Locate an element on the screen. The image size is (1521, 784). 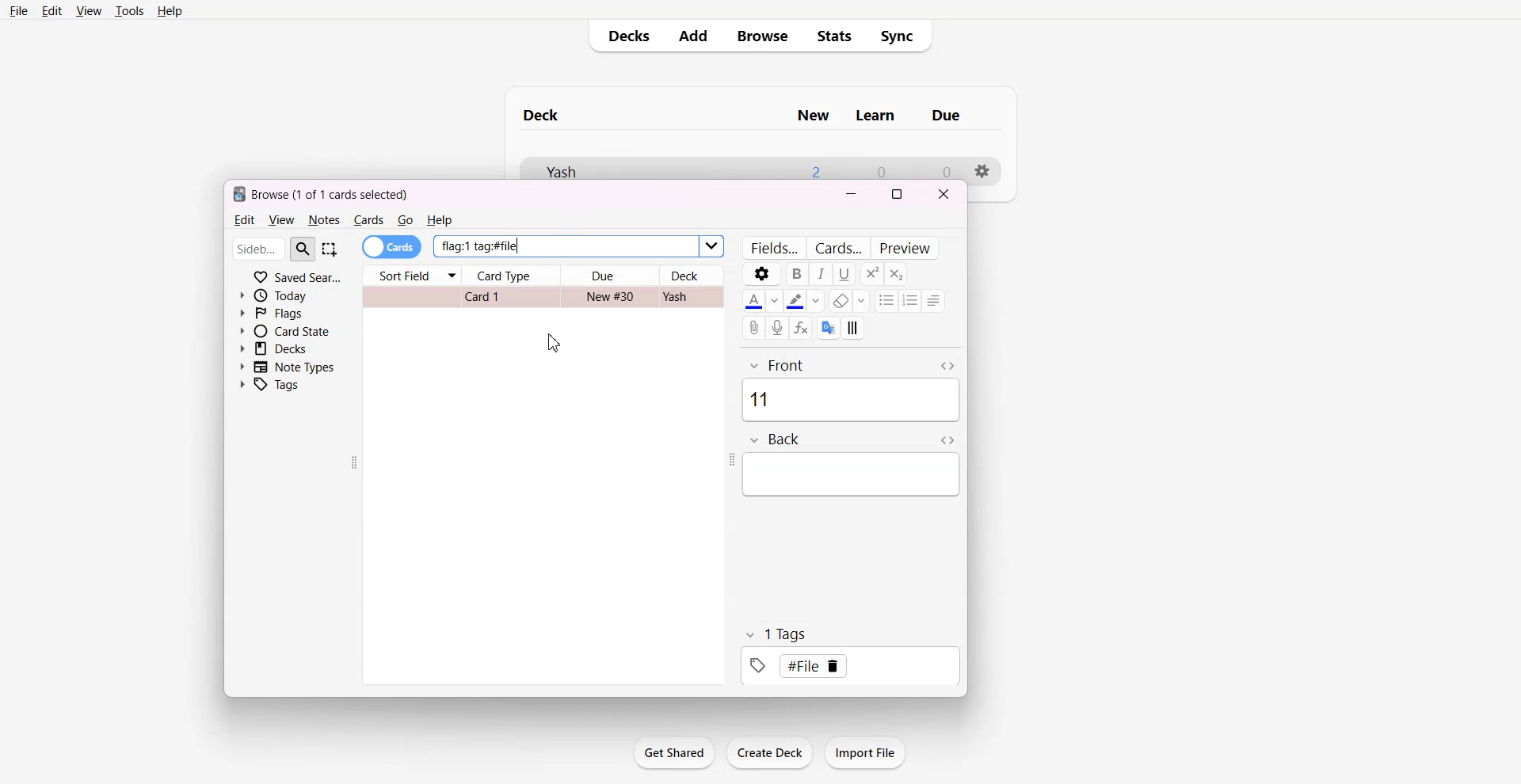
yash is located at coordinates (587, 167).